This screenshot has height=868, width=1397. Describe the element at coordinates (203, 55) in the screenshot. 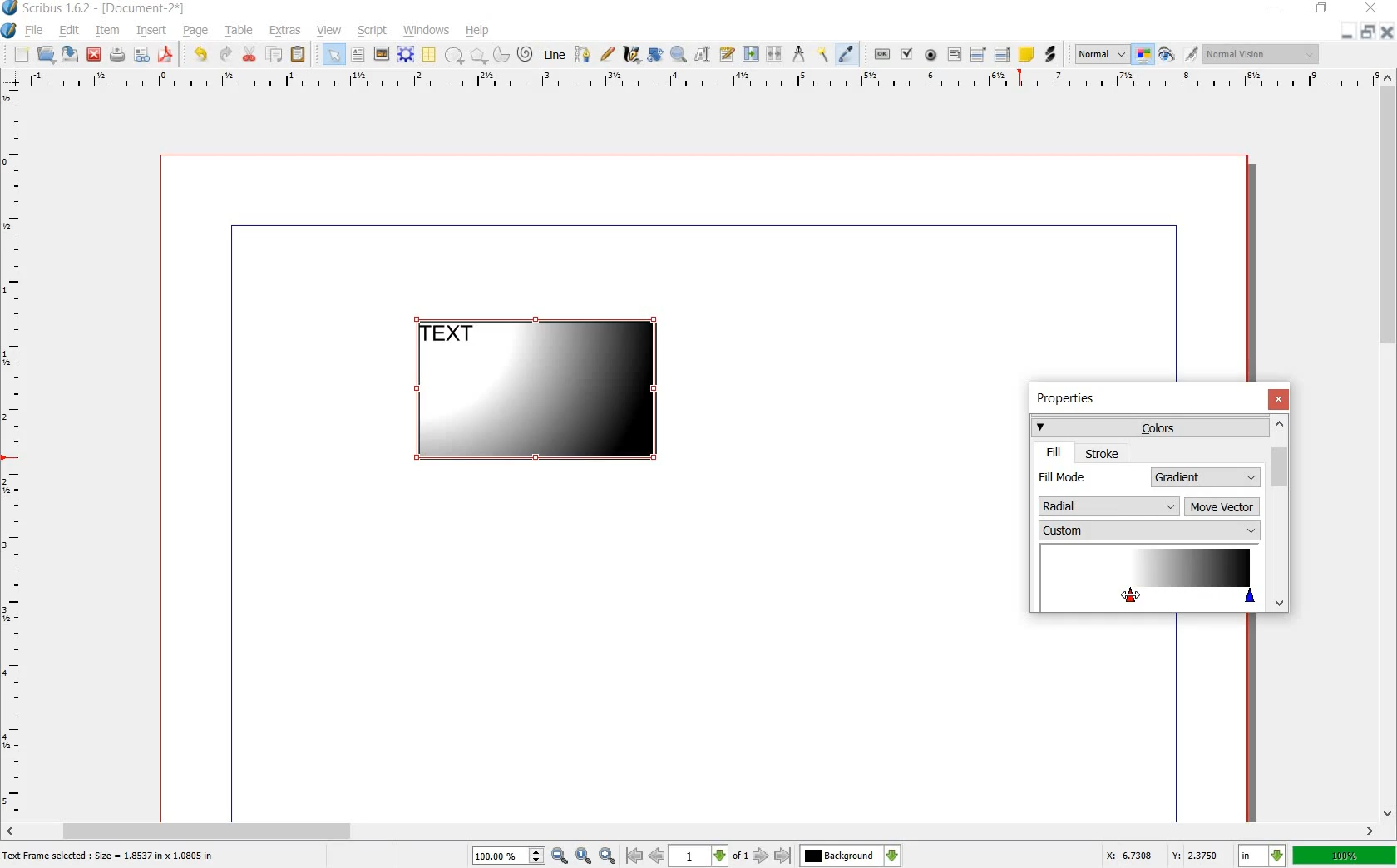

I see `undo` at that location.